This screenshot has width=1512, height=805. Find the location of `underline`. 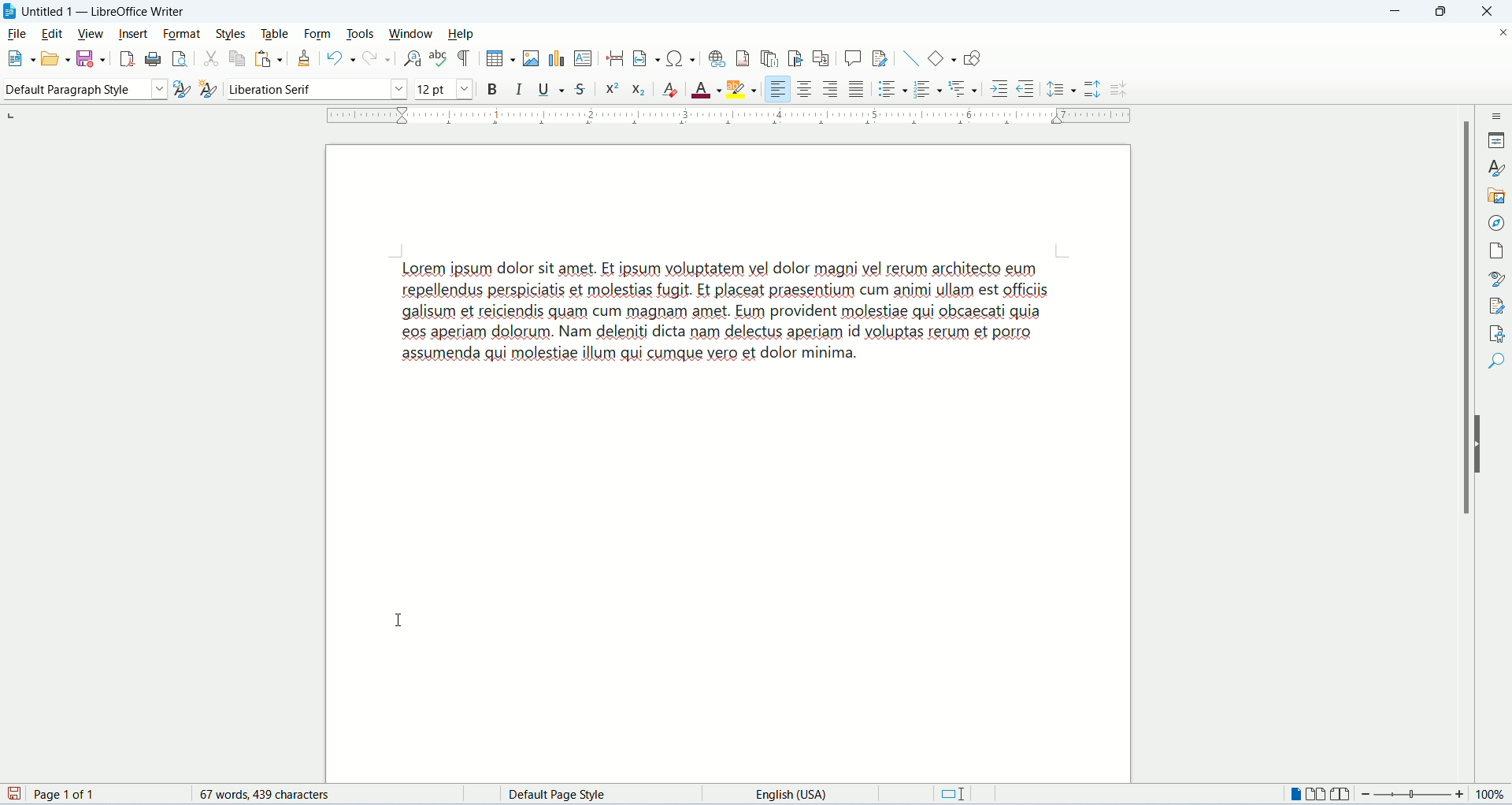

underline is located at coordinates (550, 90).